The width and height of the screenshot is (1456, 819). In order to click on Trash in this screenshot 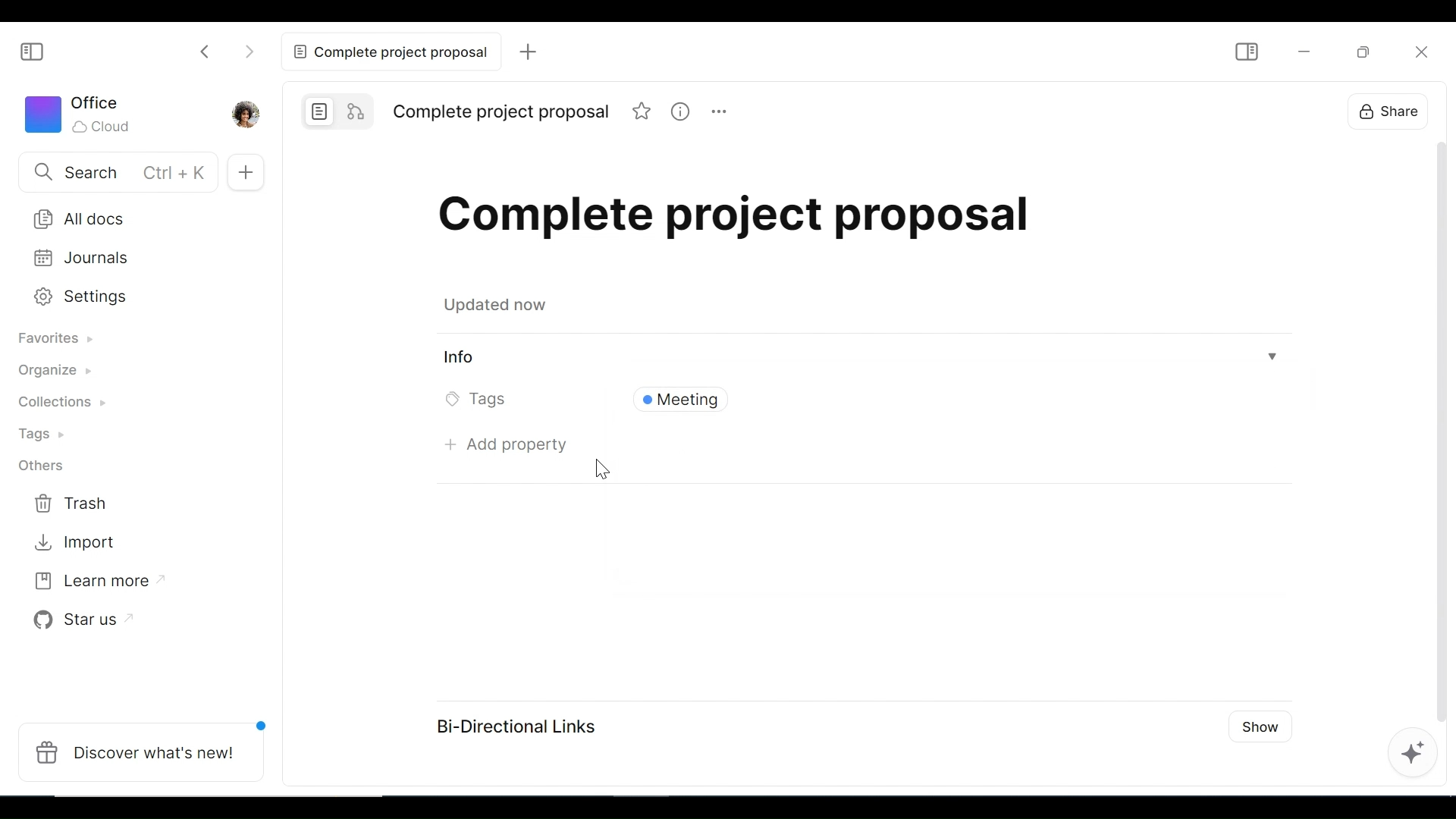, I will do `click(72, 504)`.